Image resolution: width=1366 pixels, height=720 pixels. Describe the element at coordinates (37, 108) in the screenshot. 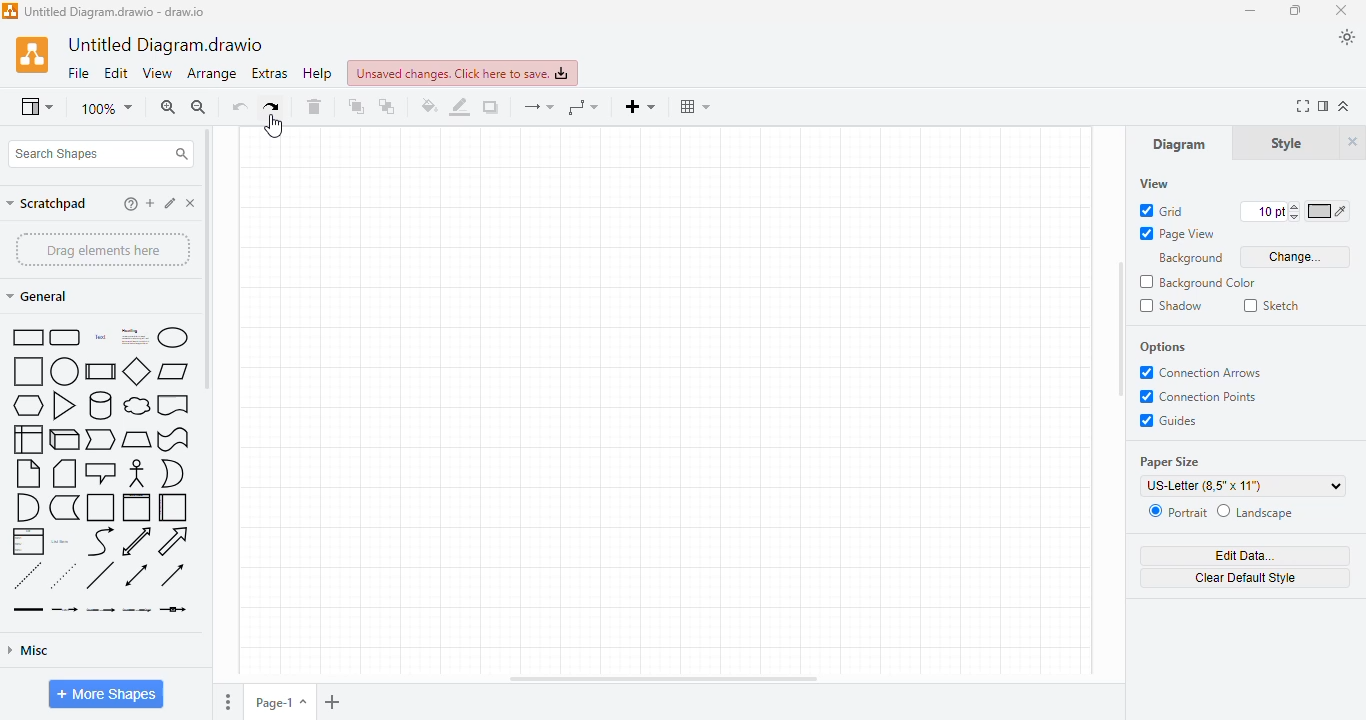

I see `view` at that location.